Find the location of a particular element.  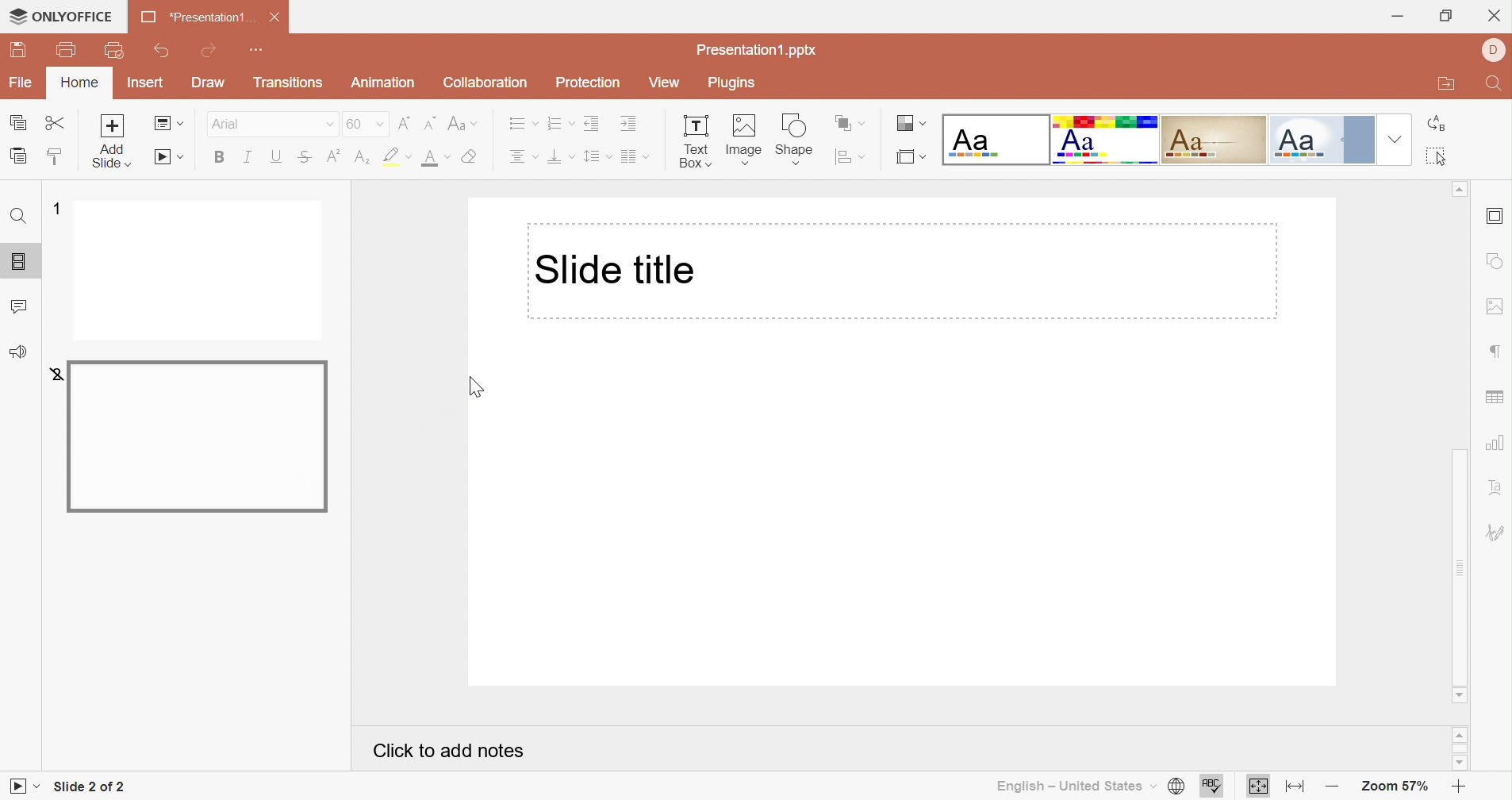

Transition is located at coordinates (289, 86).